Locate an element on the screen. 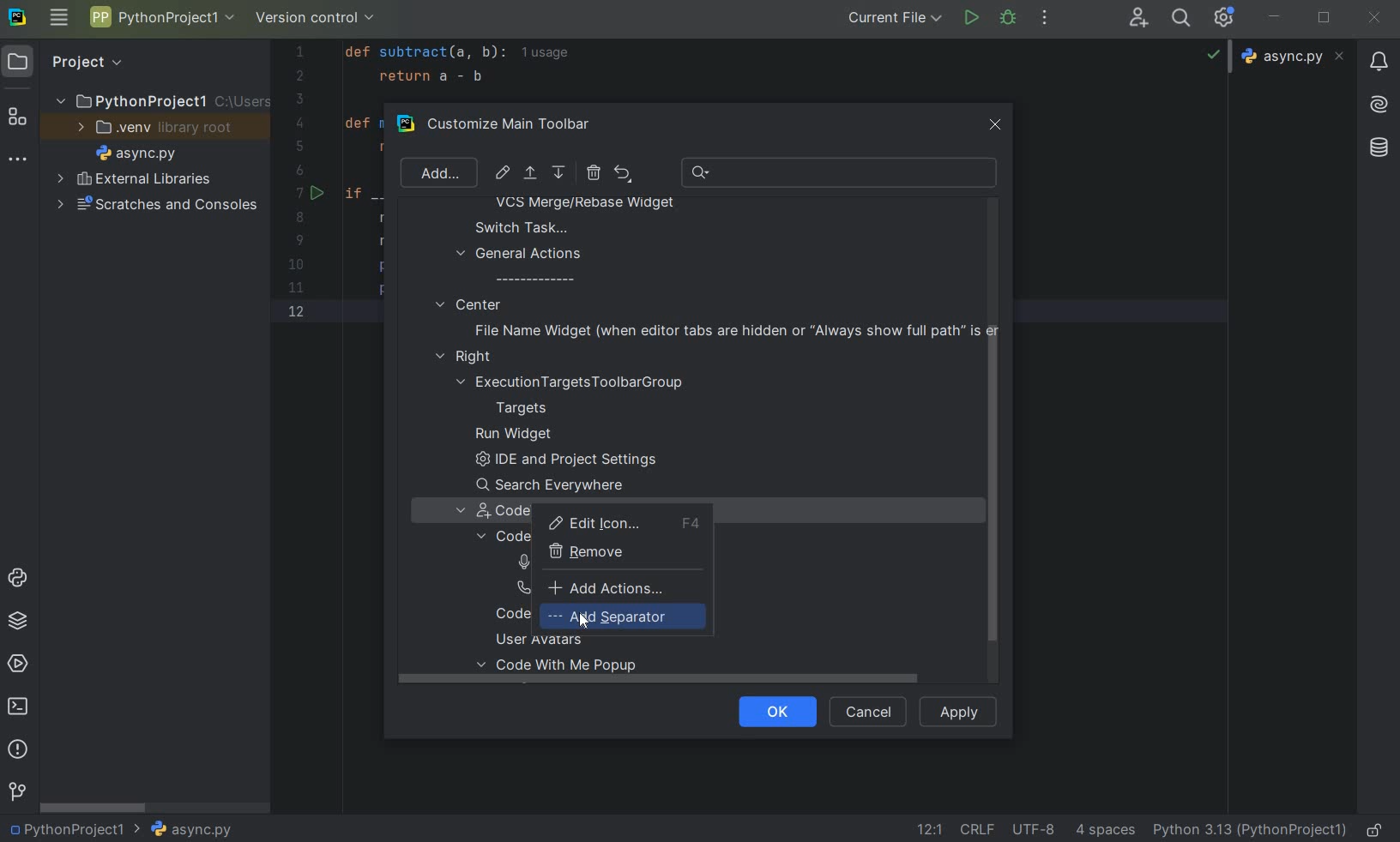  FILE ENCODING is located at coordinates (1040, 829).